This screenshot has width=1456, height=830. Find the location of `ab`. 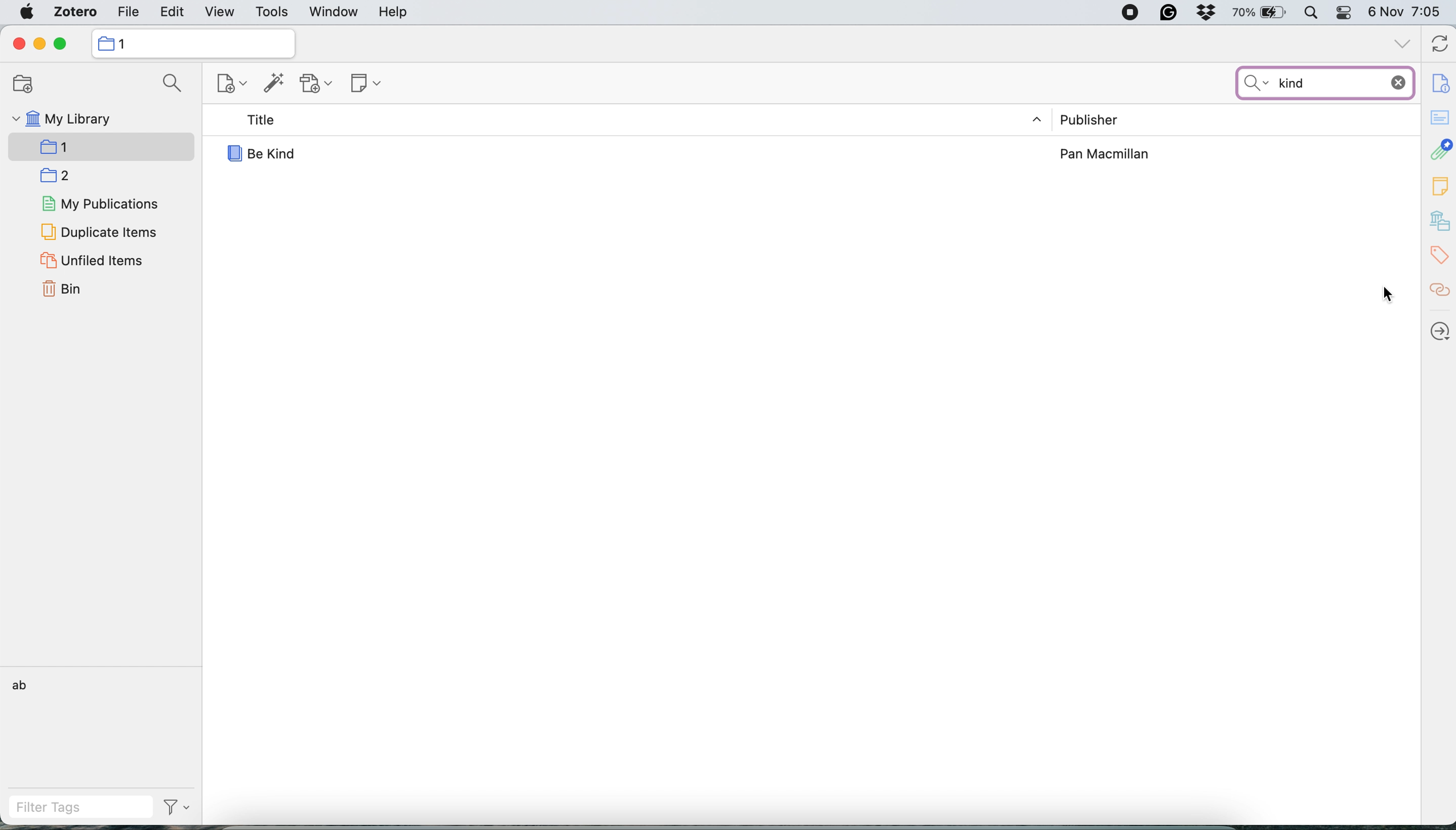

ab is located at coordinates (22, 685).